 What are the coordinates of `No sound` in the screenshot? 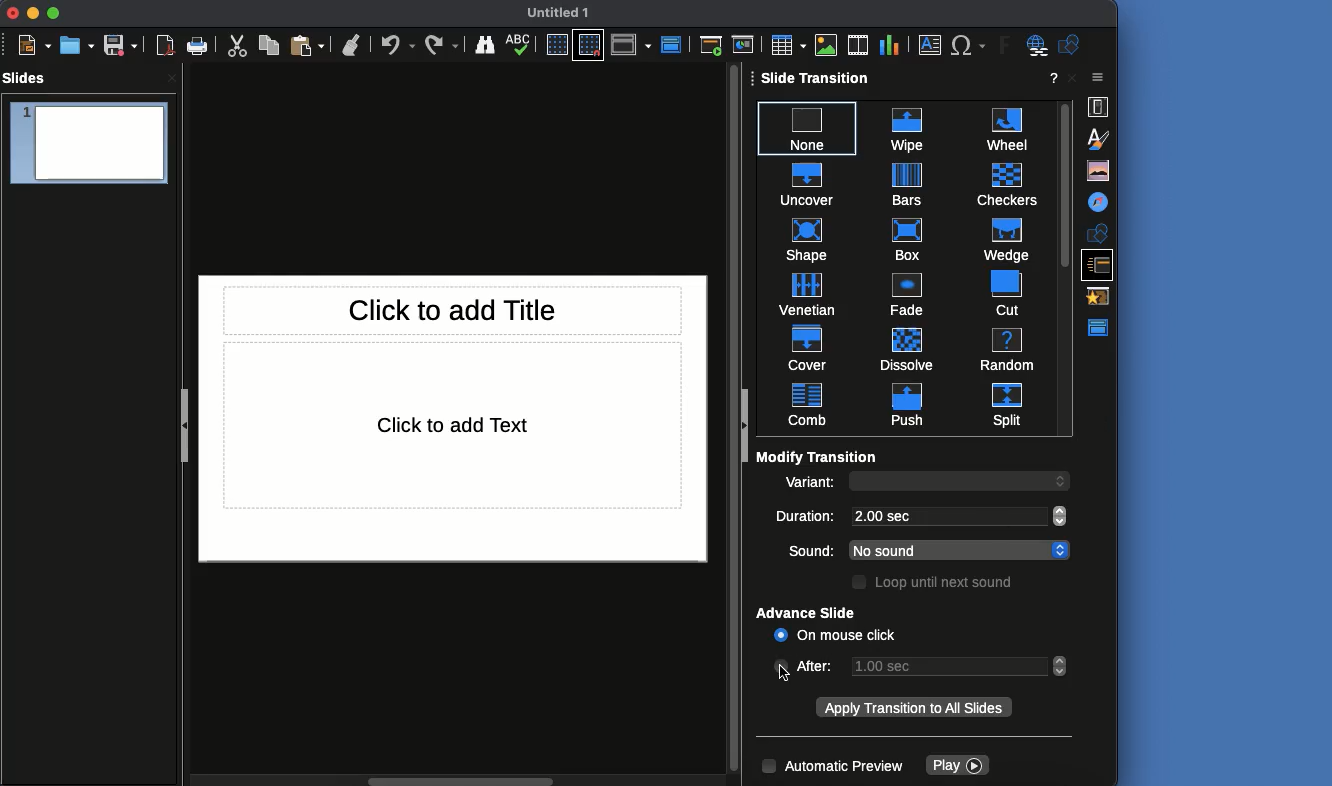 It's located at (944, 550).